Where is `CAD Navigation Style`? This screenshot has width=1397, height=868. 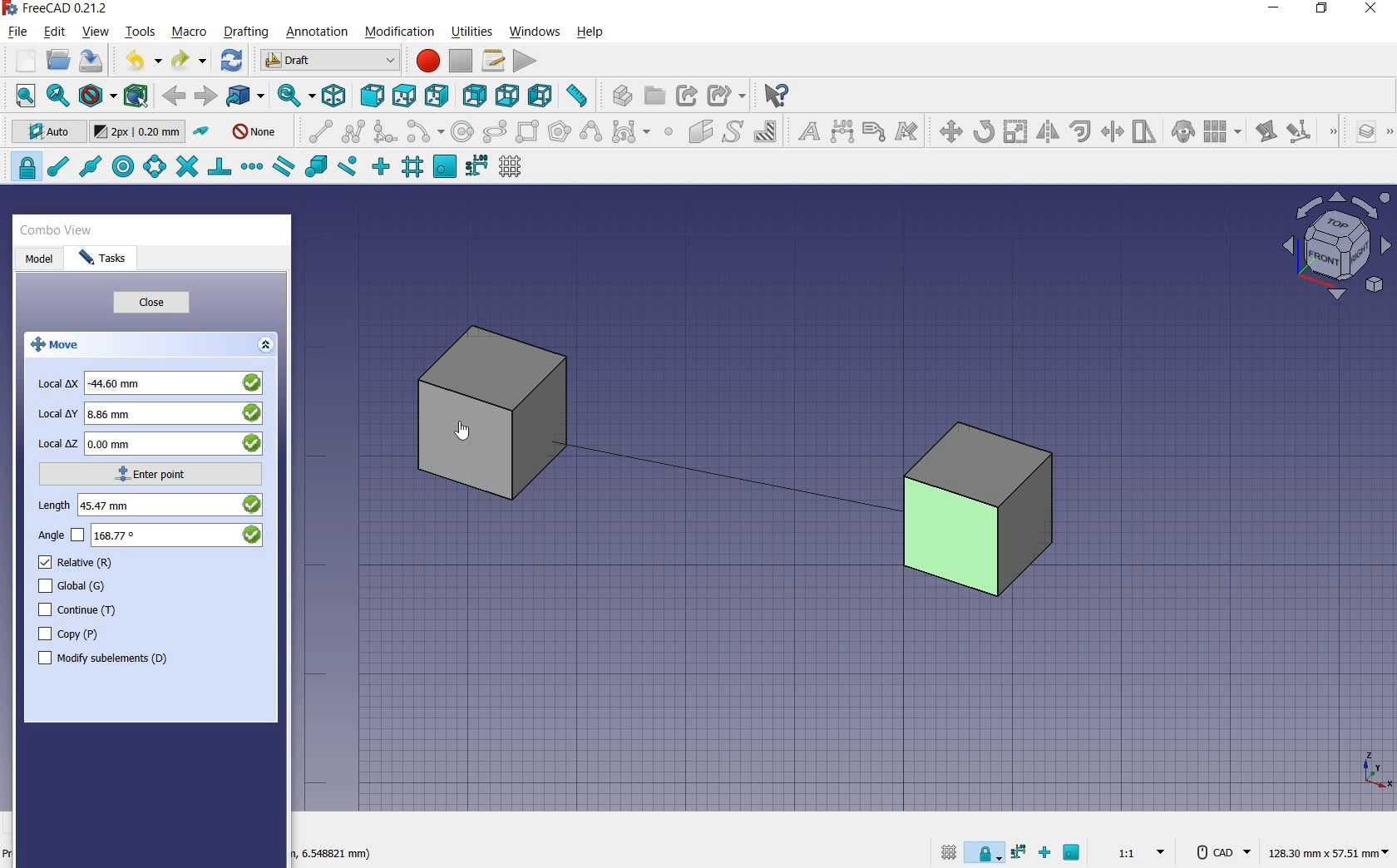 CAD Navigation Style is located at coordinates (1220, 851).